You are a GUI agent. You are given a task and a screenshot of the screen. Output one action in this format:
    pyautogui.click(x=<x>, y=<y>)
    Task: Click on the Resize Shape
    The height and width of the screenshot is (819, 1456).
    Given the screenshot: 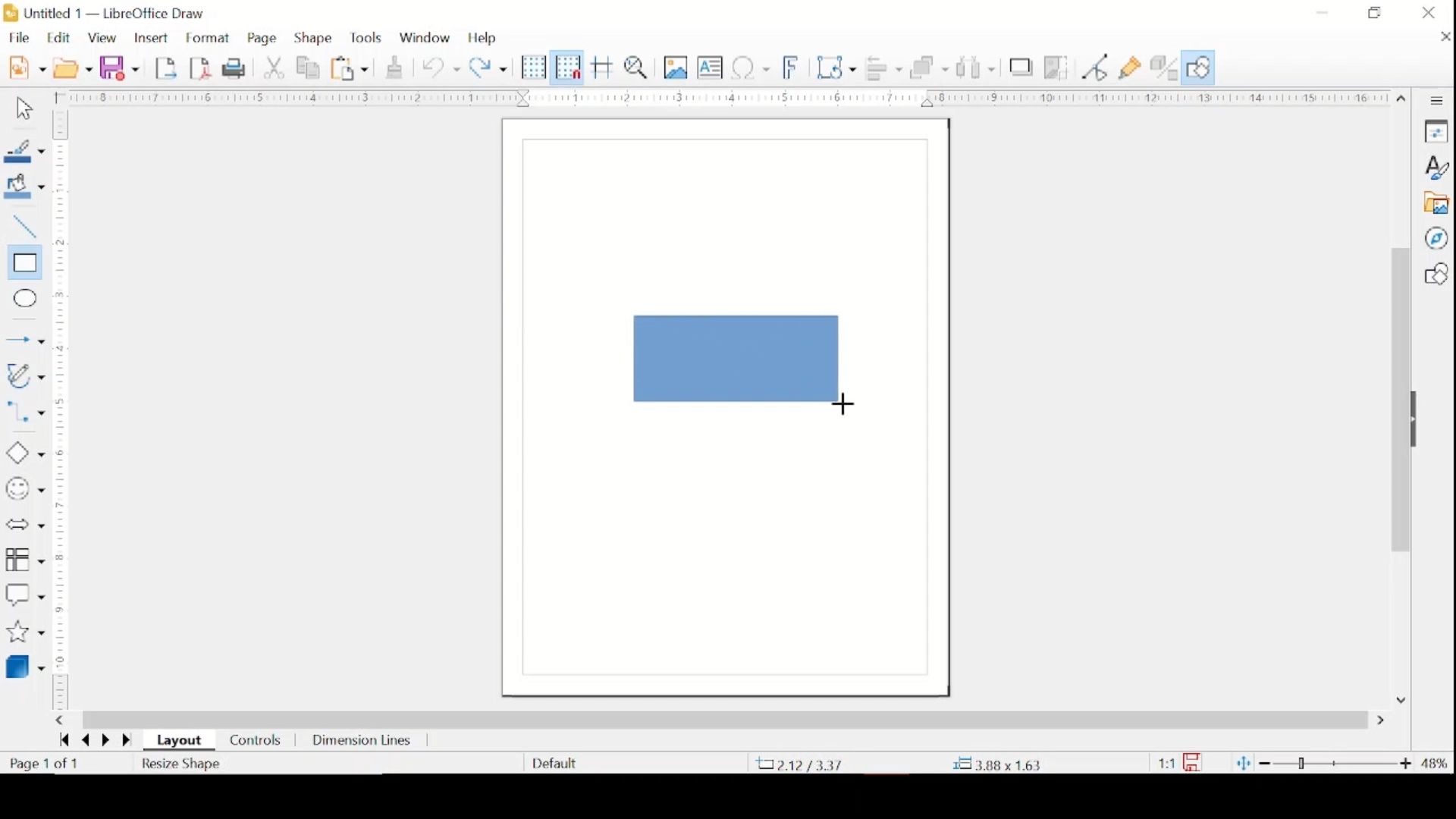 What is the action you would take?
    pyautogui.click(x=183, y=764)
    